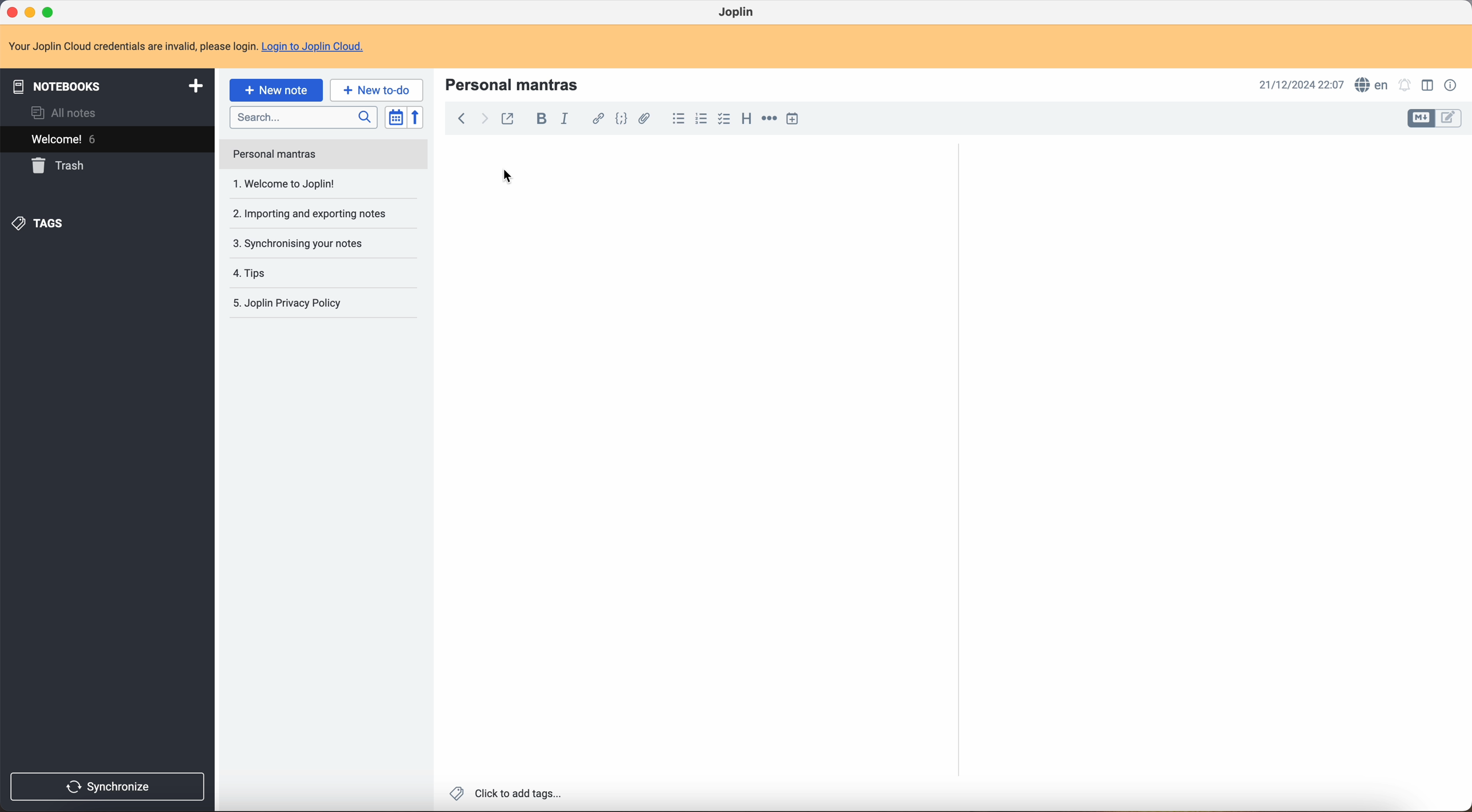 The height and width of the screenshot is (812, 1472). I want to click on toggle external editing, so click(507, 118).